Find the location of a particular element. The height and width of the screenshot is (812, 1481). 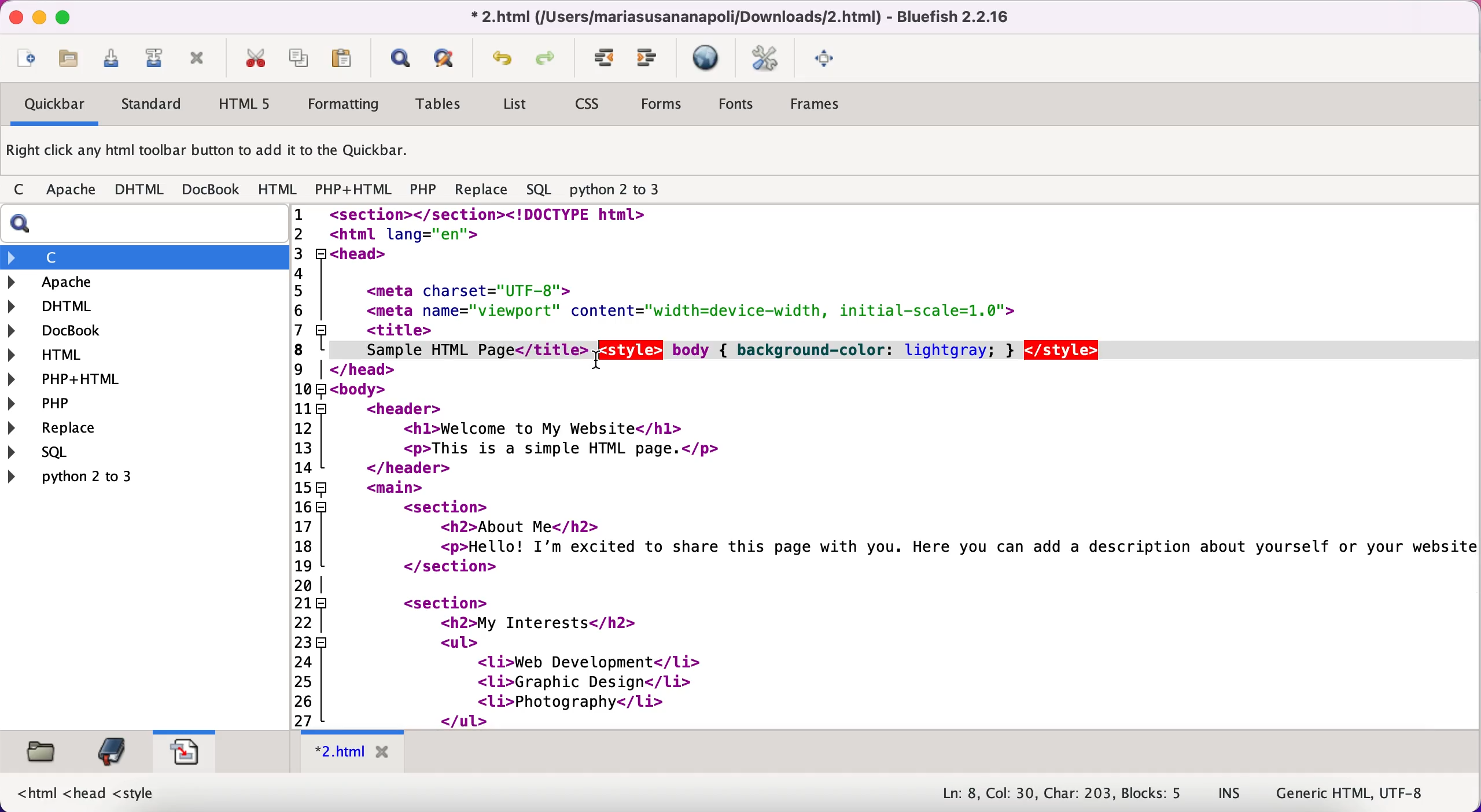

dhtml is located at coordinates (58, 305).